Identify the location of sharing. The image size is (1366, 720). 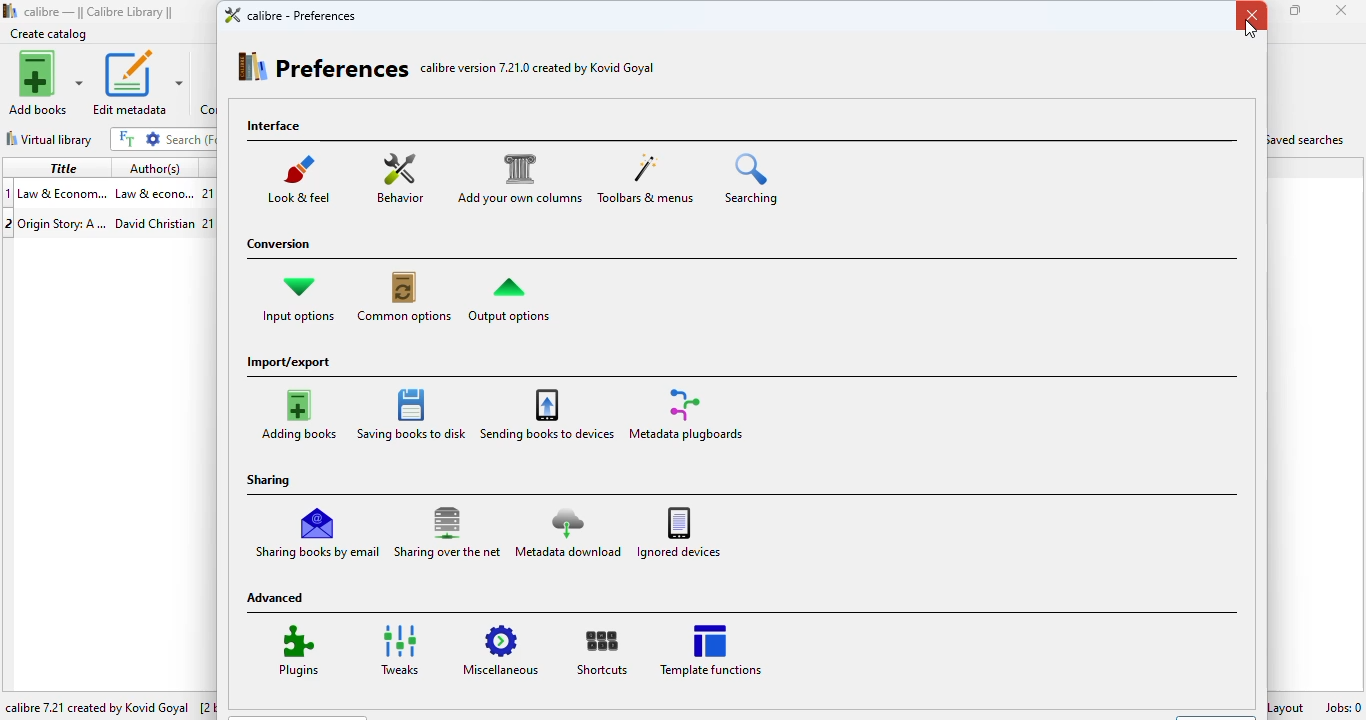
(270, 480).